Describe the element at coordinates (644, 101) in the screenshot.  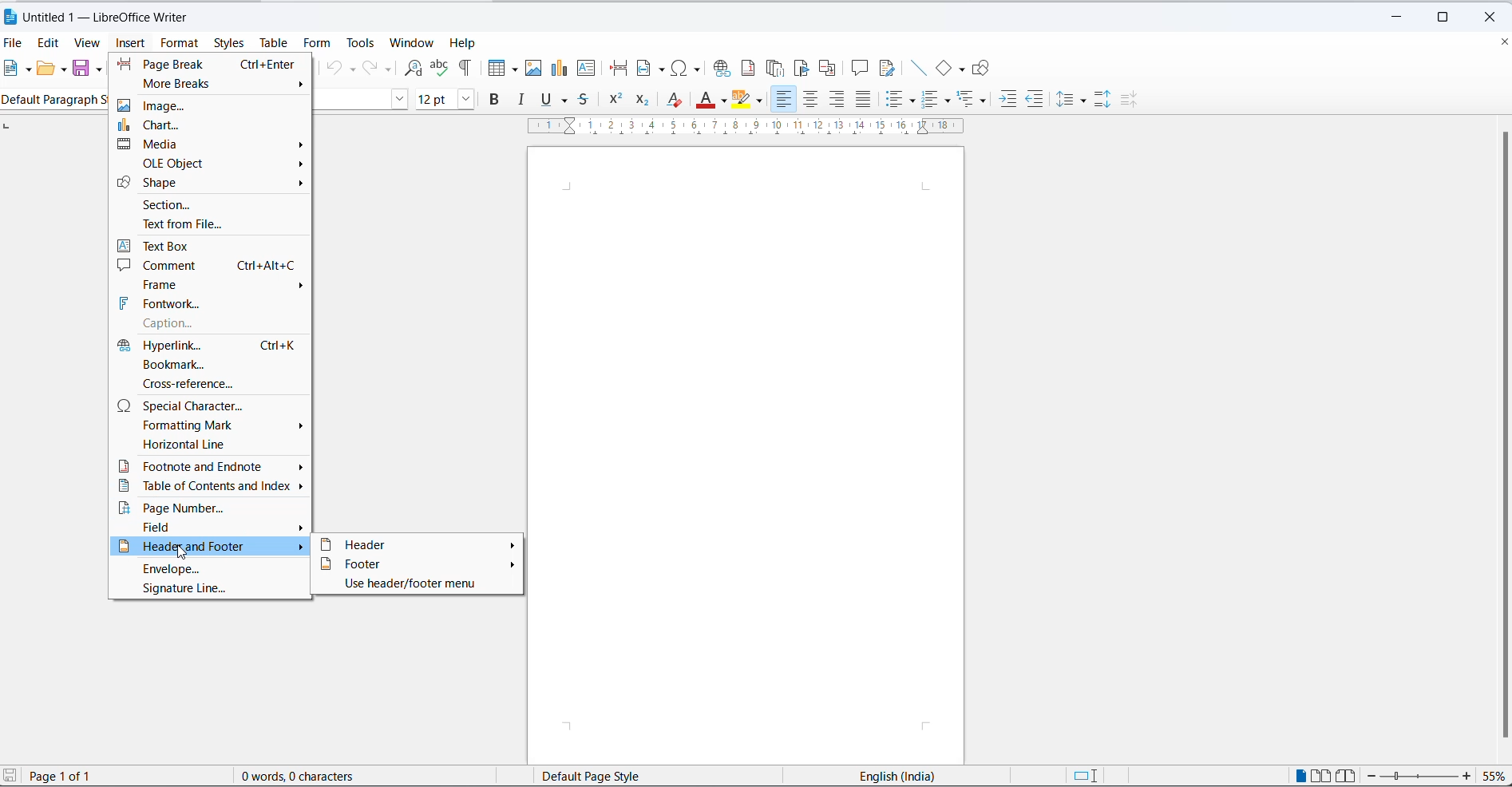
I see `subscript` at that location.